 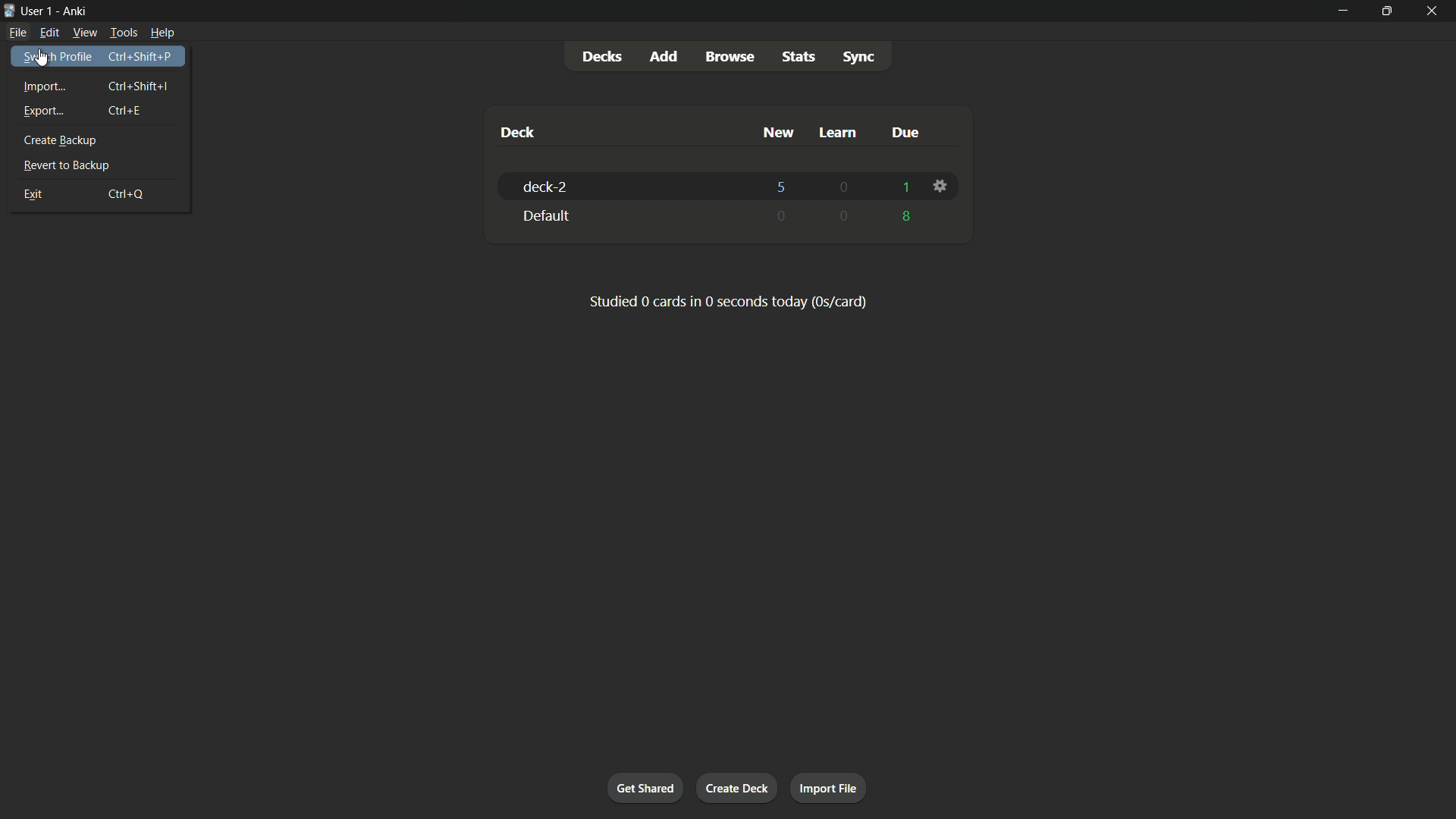 What do you see at coordinates (630, 215) in the screenshot?
I see `Default` at bounding box center [630, 215].